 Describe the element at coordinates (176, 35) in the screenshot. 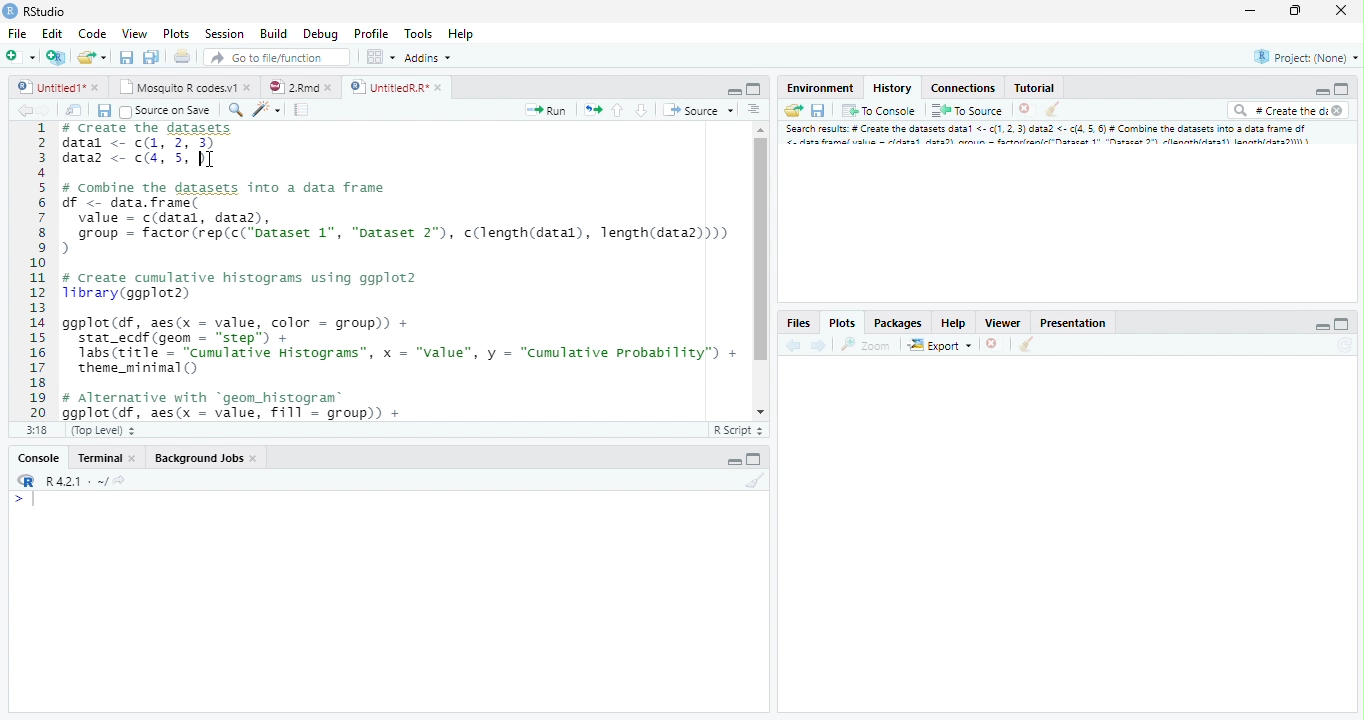

I see `Plots` at that location.